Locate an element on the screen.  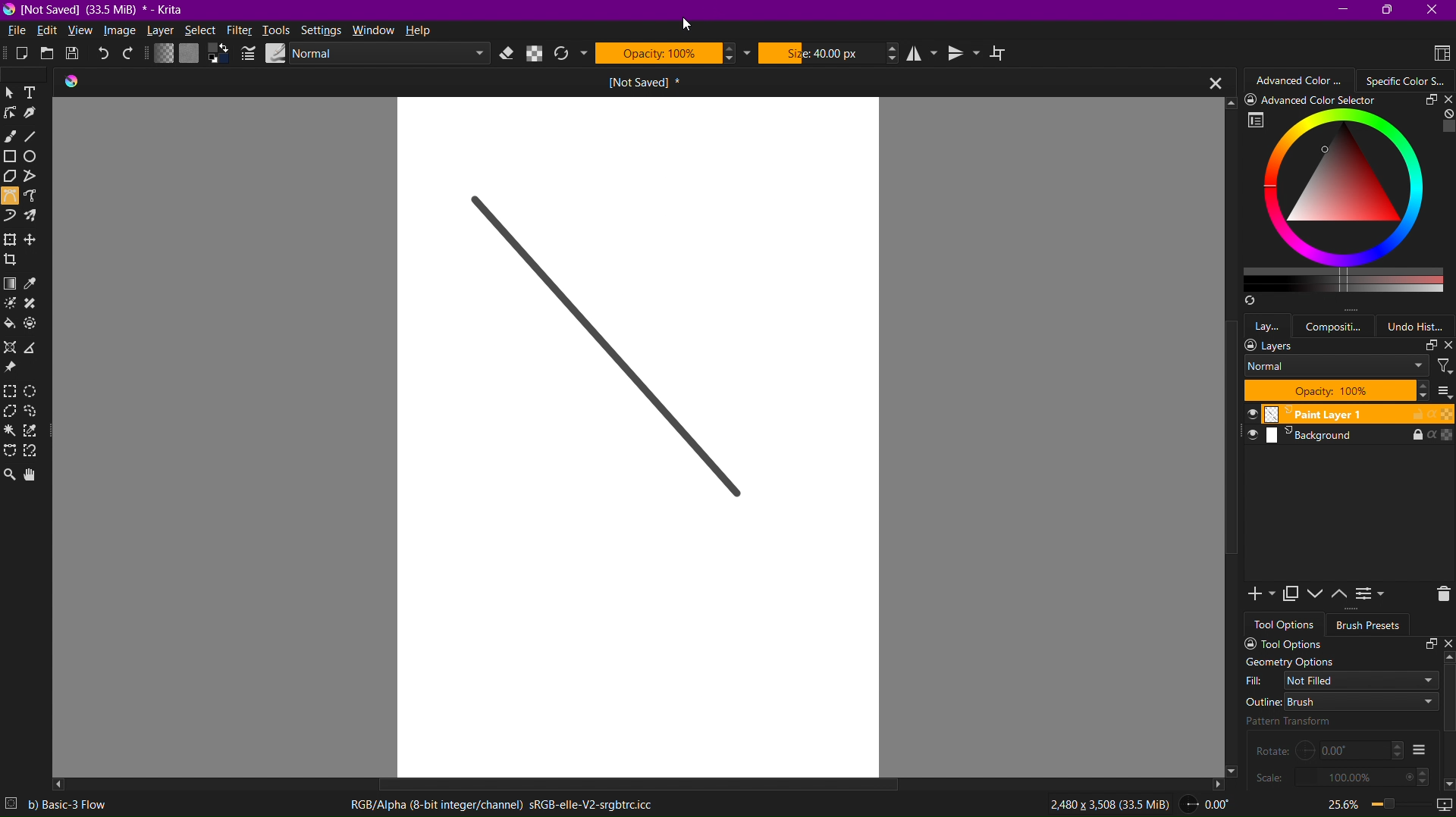
Duplicate Layer or Mask is located at coordinates (1293, 595).